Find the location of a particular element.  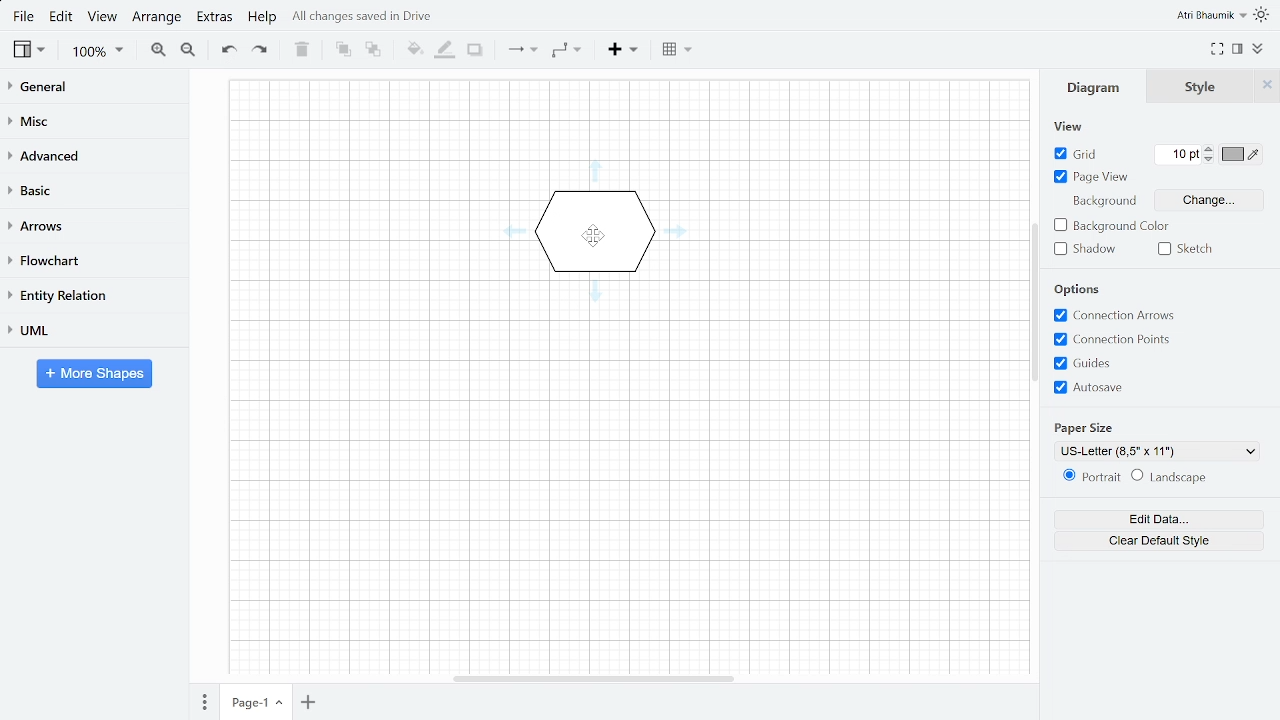

Portrait is located at coordinates (1091, 476).